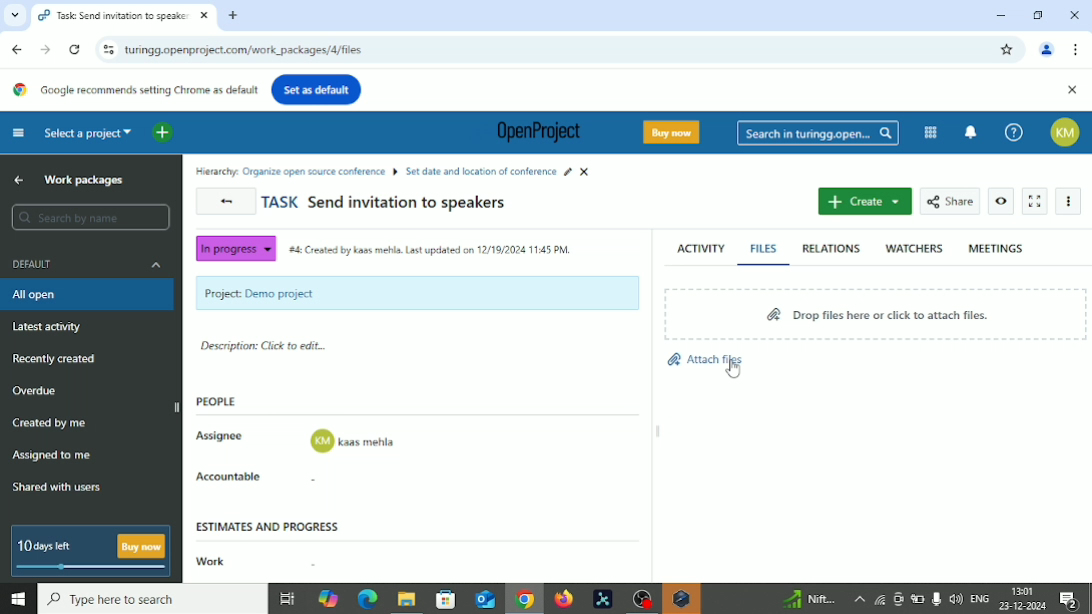  I want to click on Assignee, so click(223, 434).